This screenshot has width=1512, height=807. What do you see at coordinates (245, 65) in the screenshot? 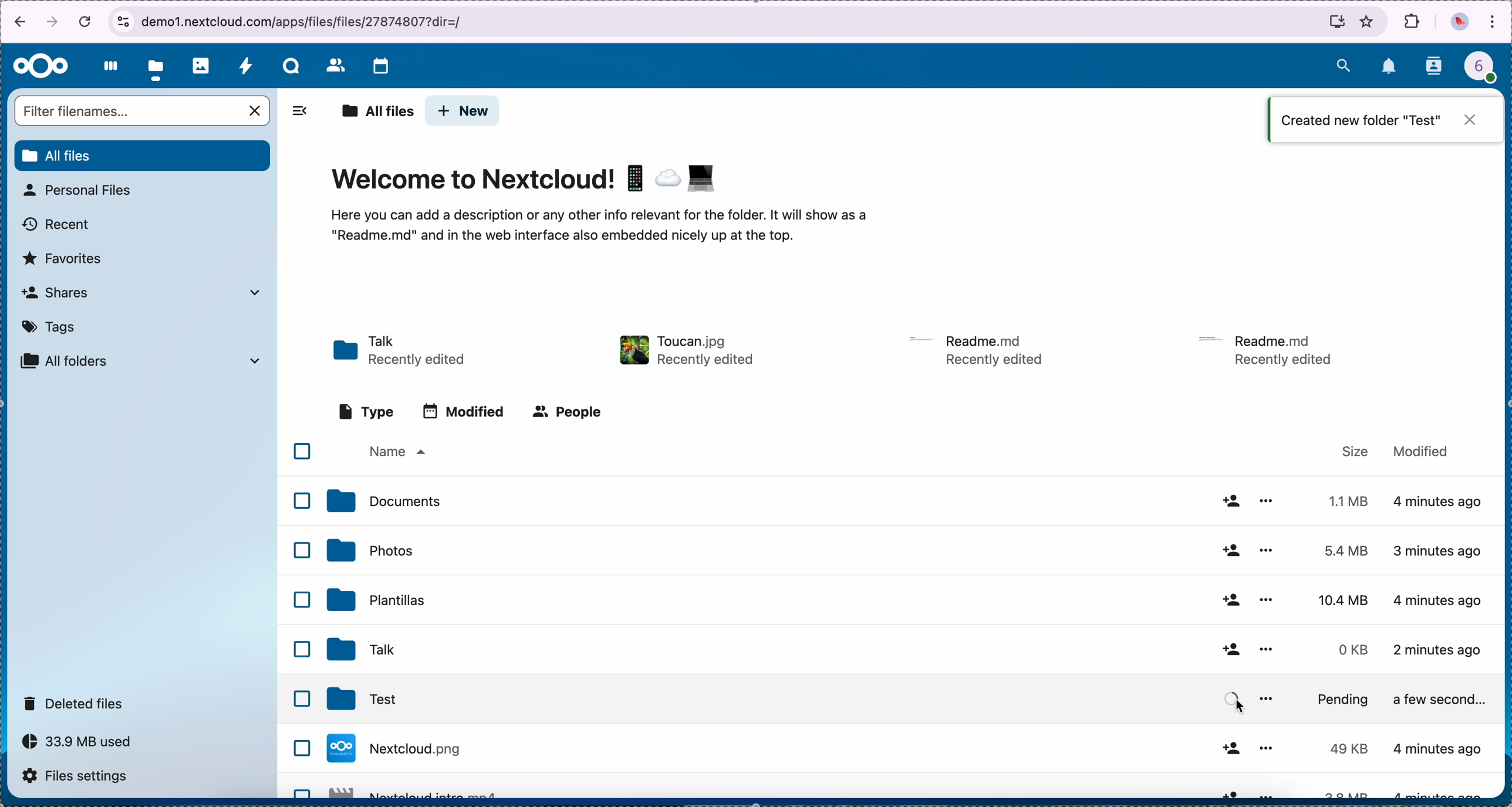
I see `activity` at bounding box center [245, 65].